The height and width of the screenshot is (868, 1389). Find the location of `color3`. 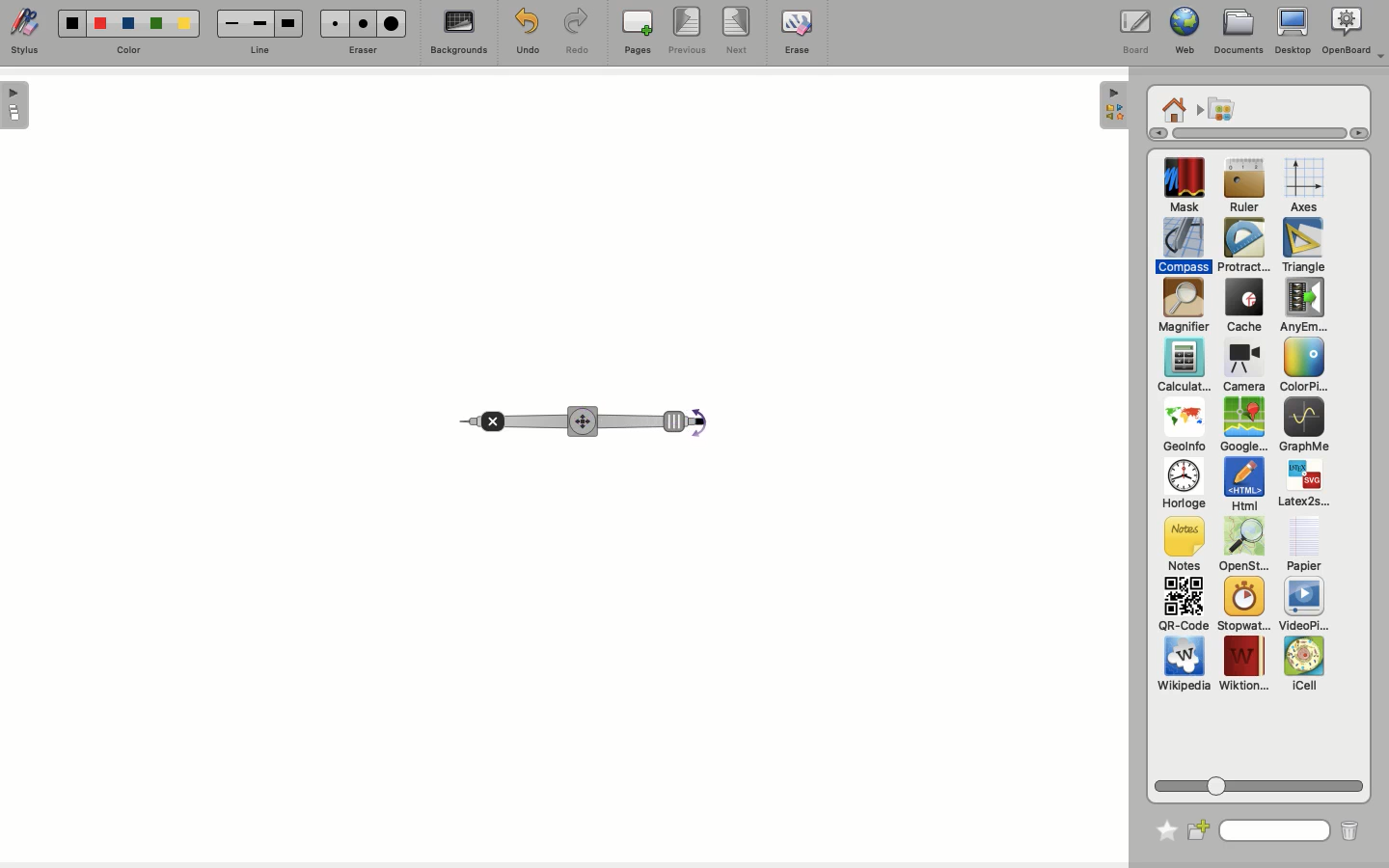

color3 is located at coordinates (127, 24).